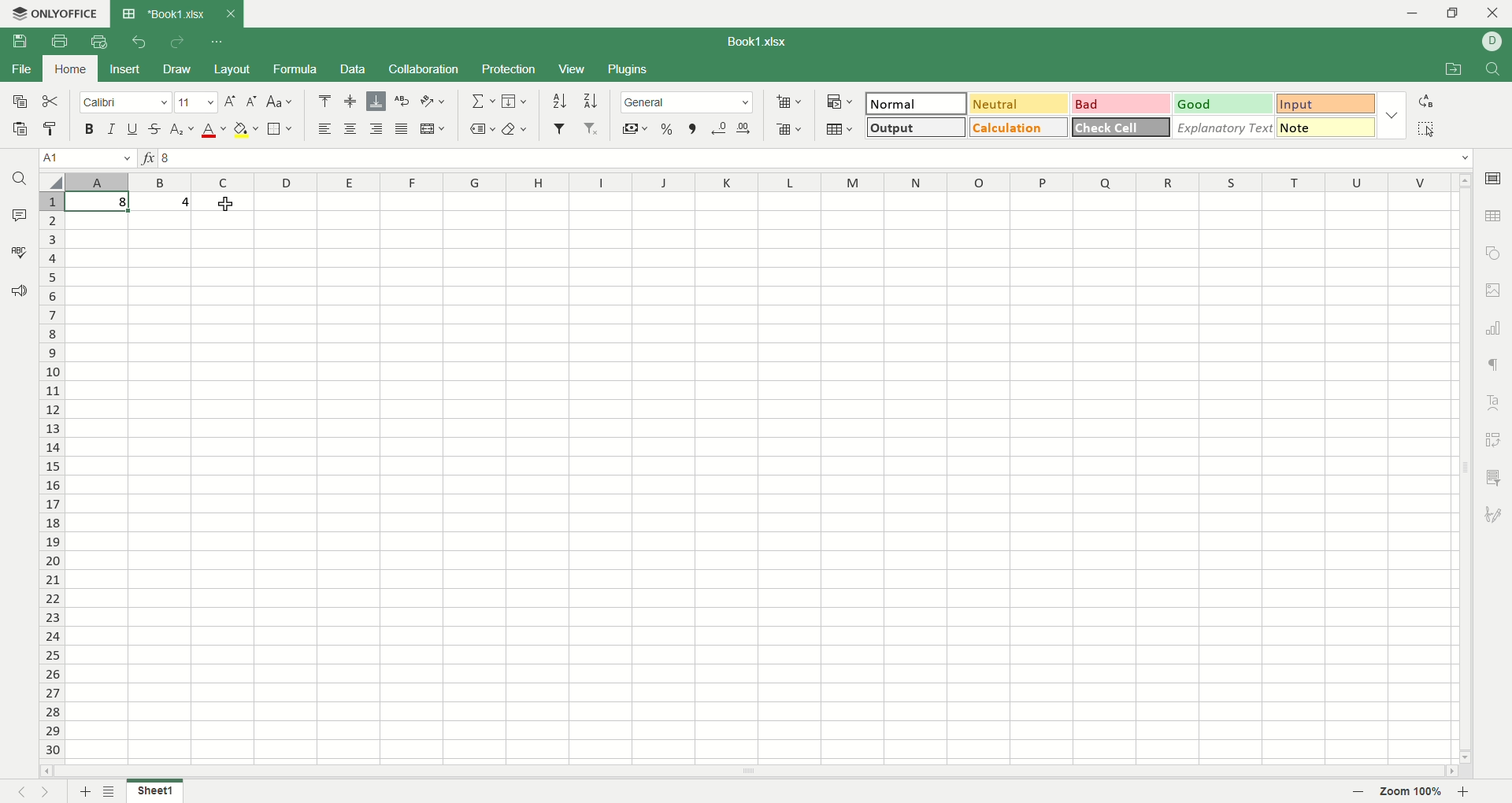 The image size is (1512, 803). I want to click on input, so click(1325, 103).